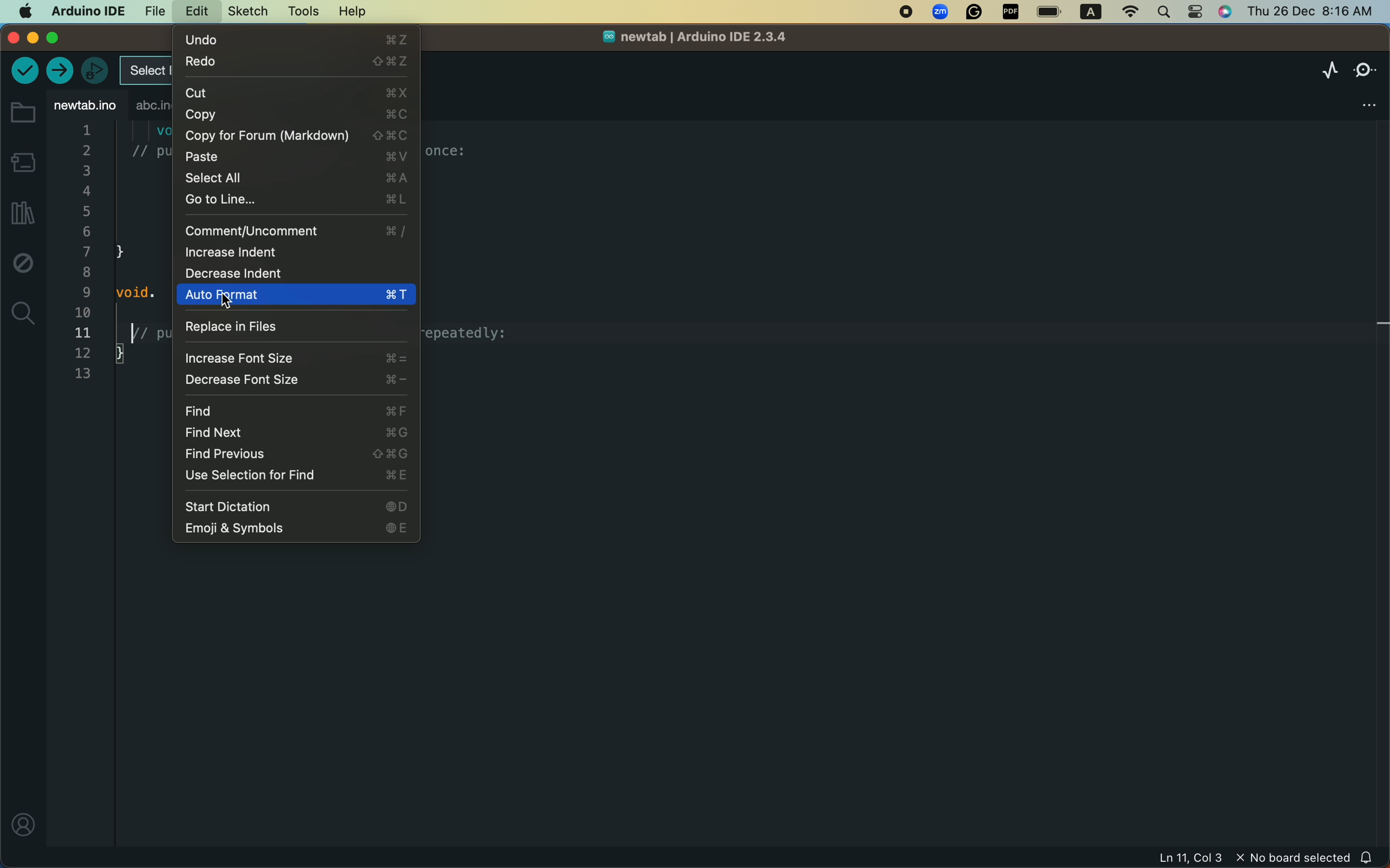  Describe the element at coordinates (296, 381) in the screenshot. I see `decrease` at that location.